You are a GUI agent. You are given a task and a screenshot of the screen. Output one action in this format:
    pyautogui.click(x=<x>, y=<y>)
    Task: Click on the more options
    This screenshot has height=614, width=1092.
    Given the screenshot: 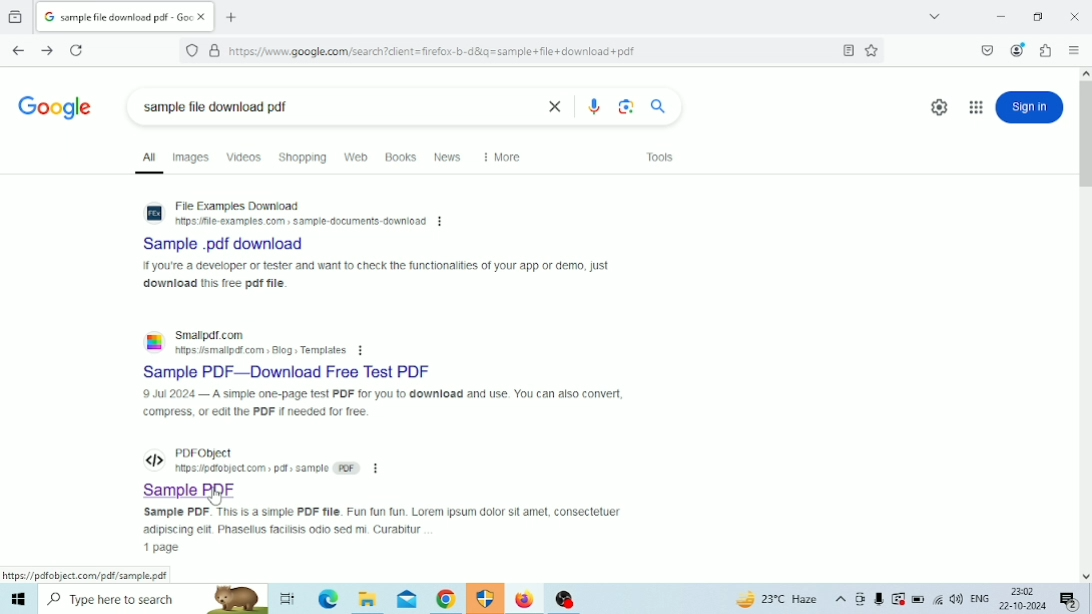 What is the action you would take?
    pyautogui.click(x=376, y=468)
    